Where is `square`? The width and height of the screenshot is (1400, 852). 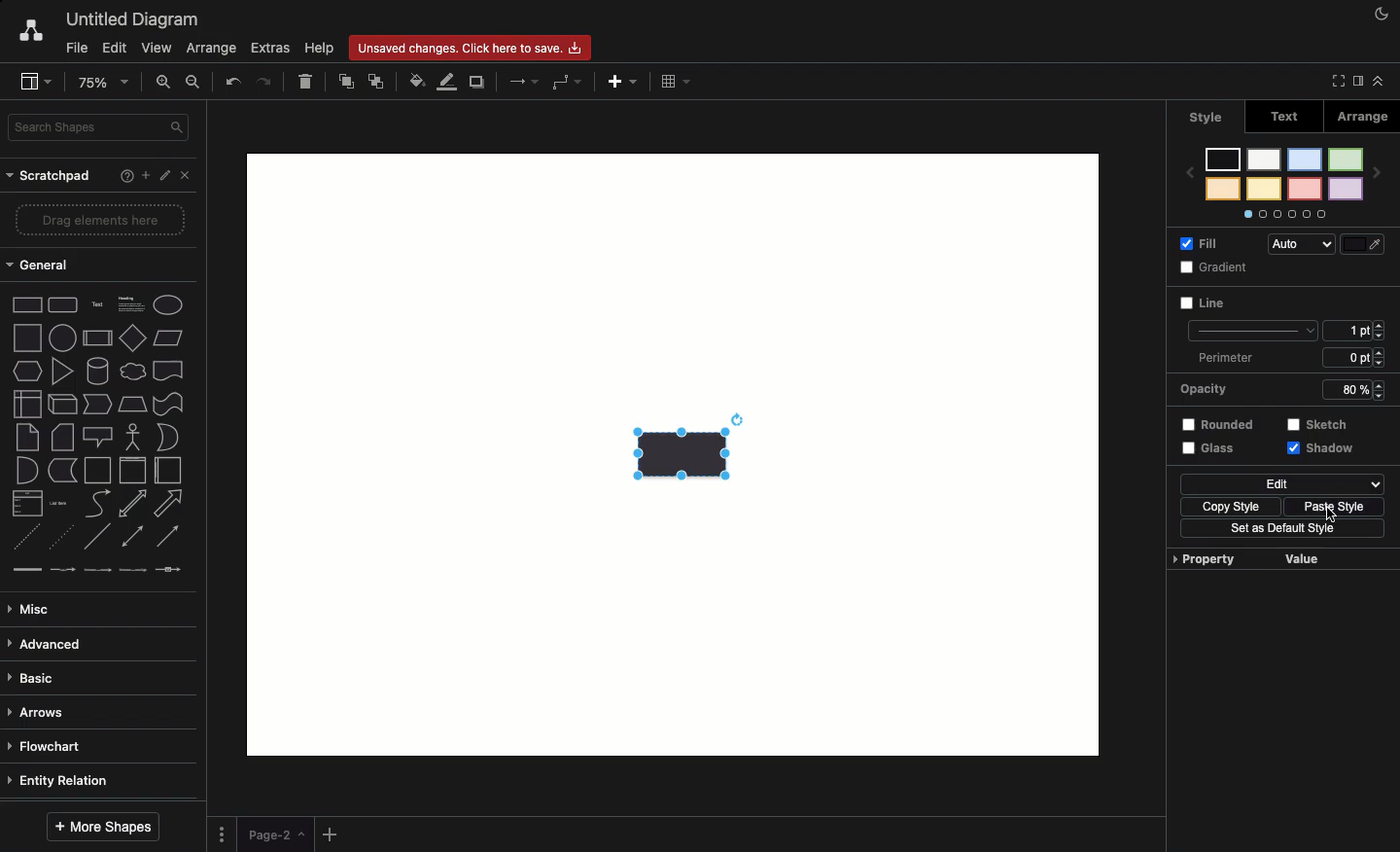
square is located at coordinates (29, 337).